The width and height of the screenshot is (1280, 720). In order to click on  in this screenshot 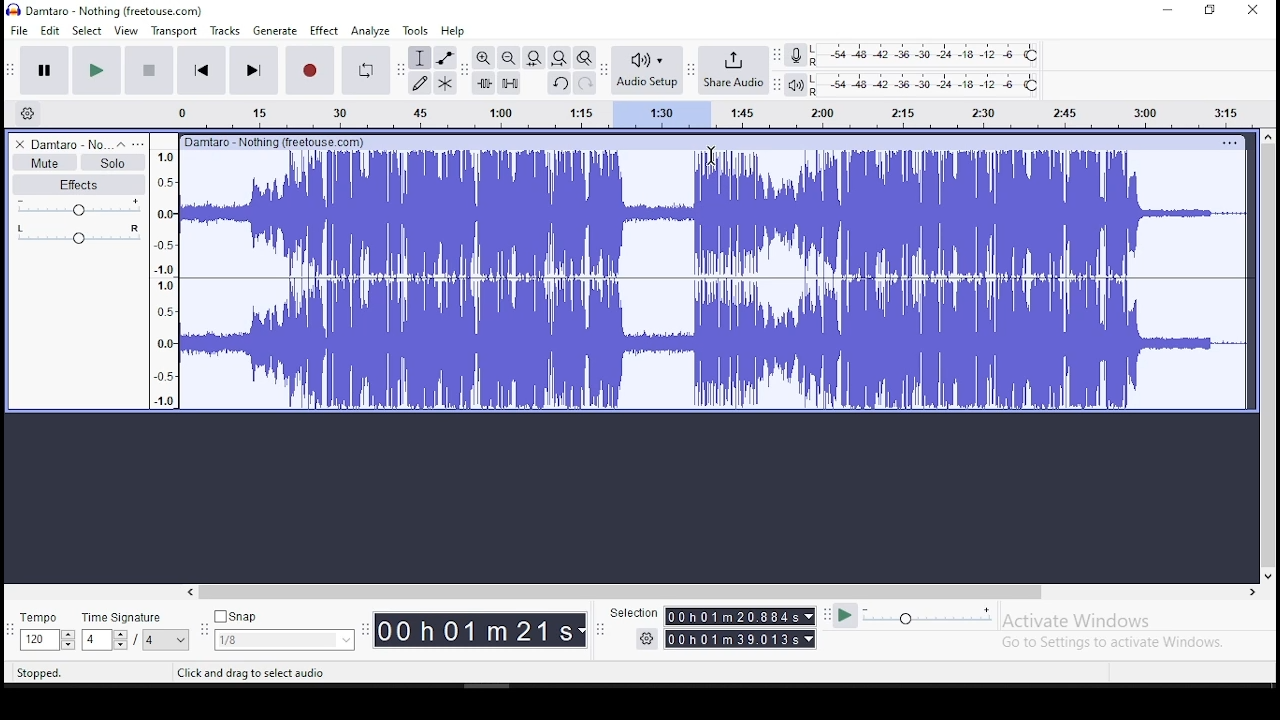, I will do `click(165, 279)`.